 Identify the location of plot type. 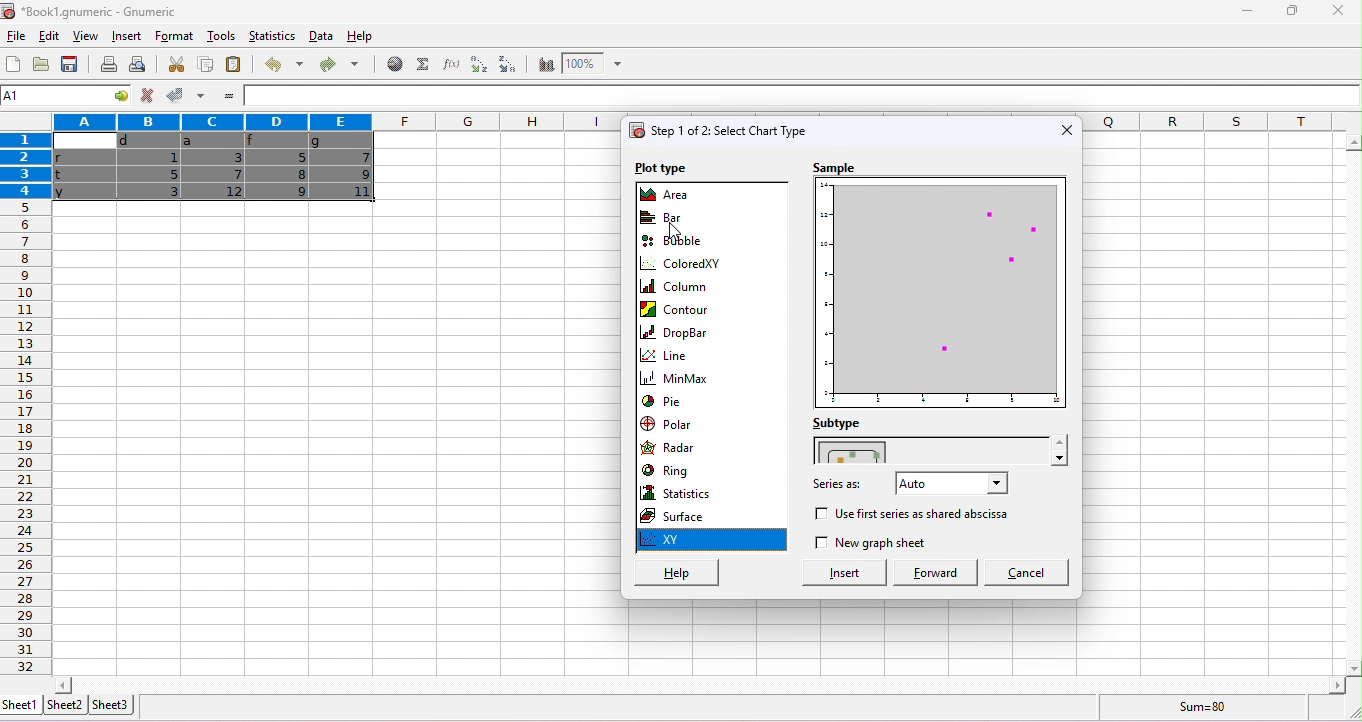
(660, 167).